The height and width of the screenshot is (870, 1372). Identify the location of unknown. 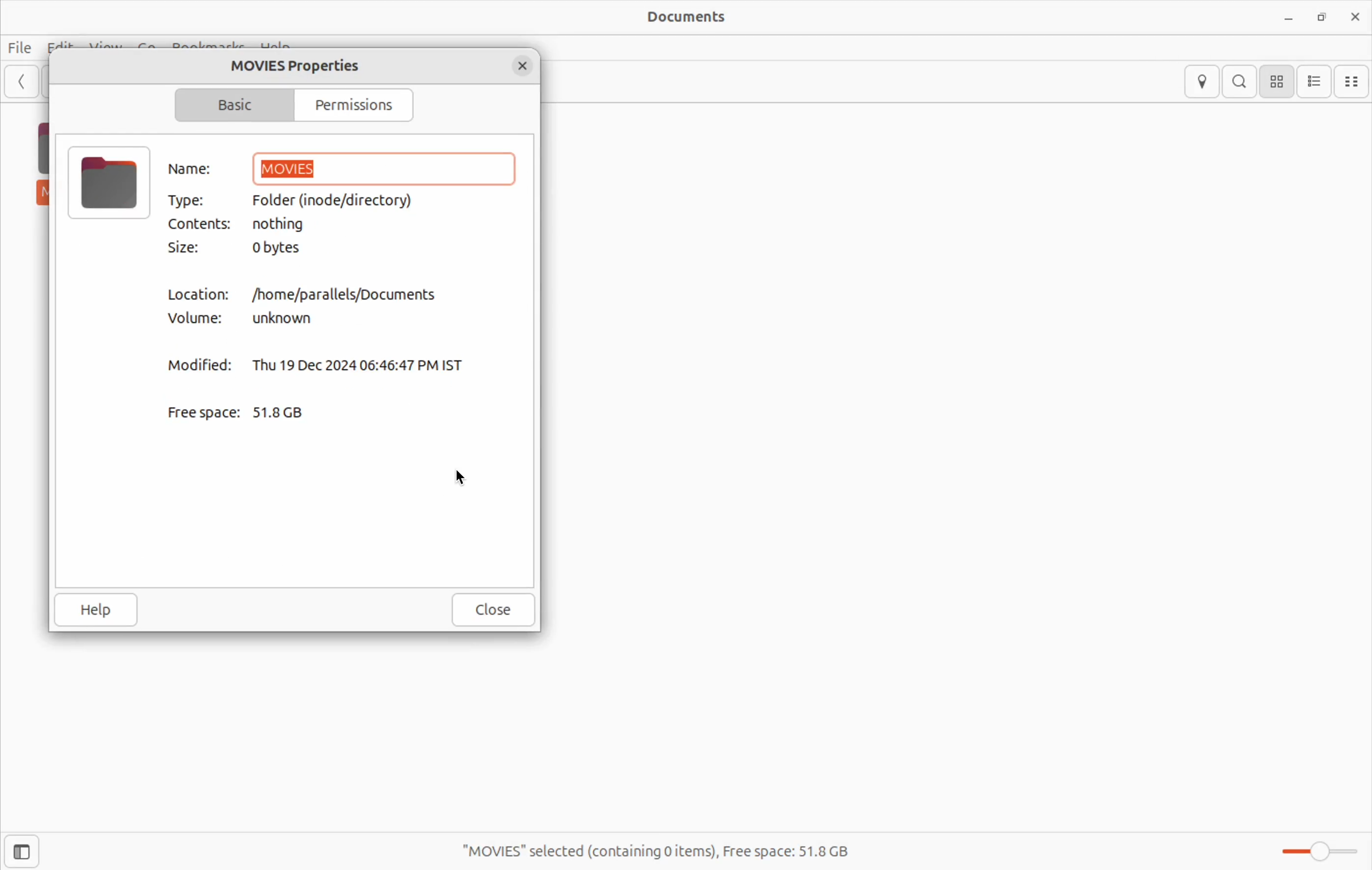
(287, 319).